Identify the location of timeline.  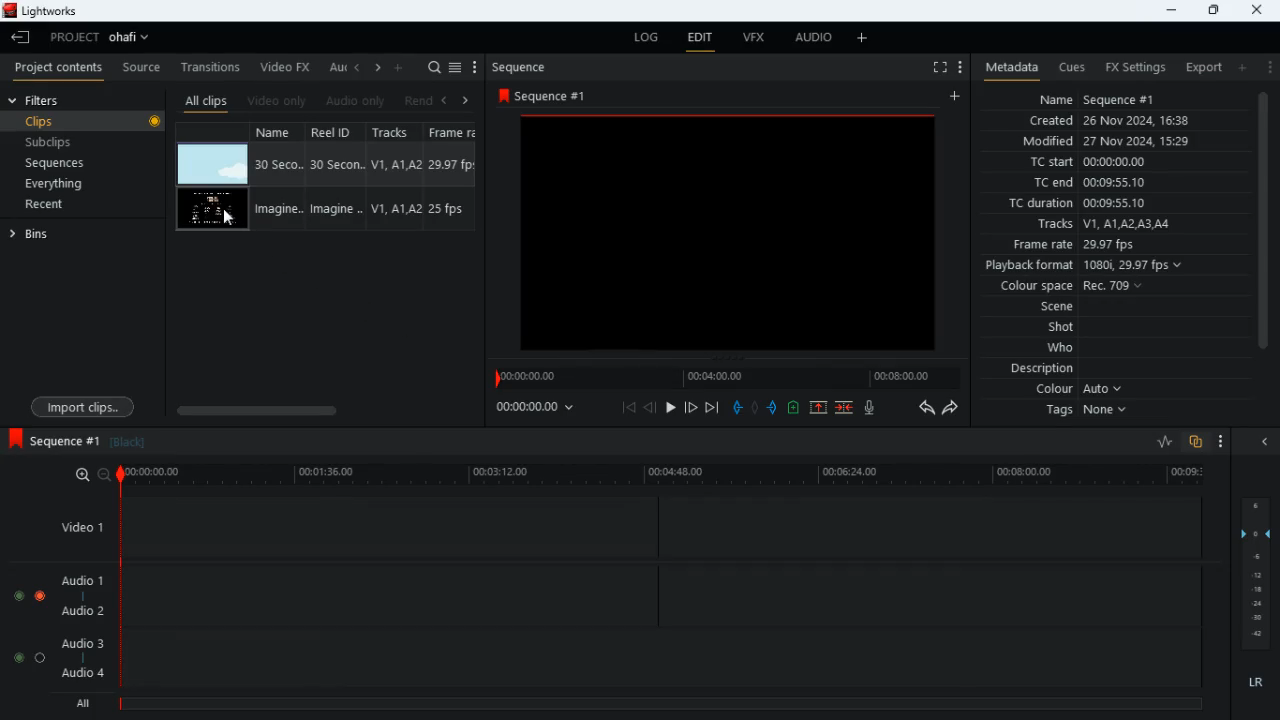
(659, 702).